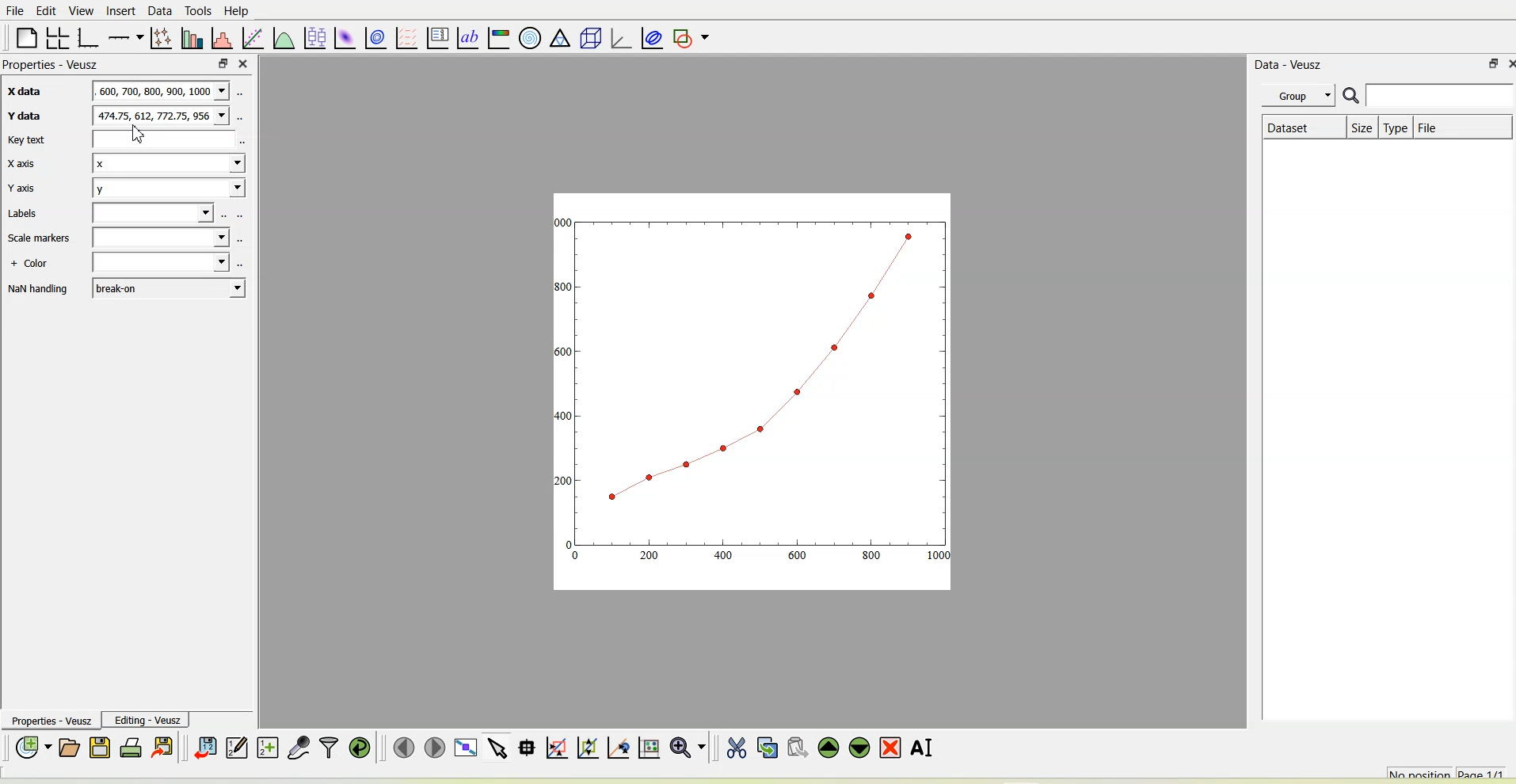 This screenshot has width=1516, height=784. Describe the element at coordinates (53, 66) in the screenshot. I see `Properties - Veusz` at that location.